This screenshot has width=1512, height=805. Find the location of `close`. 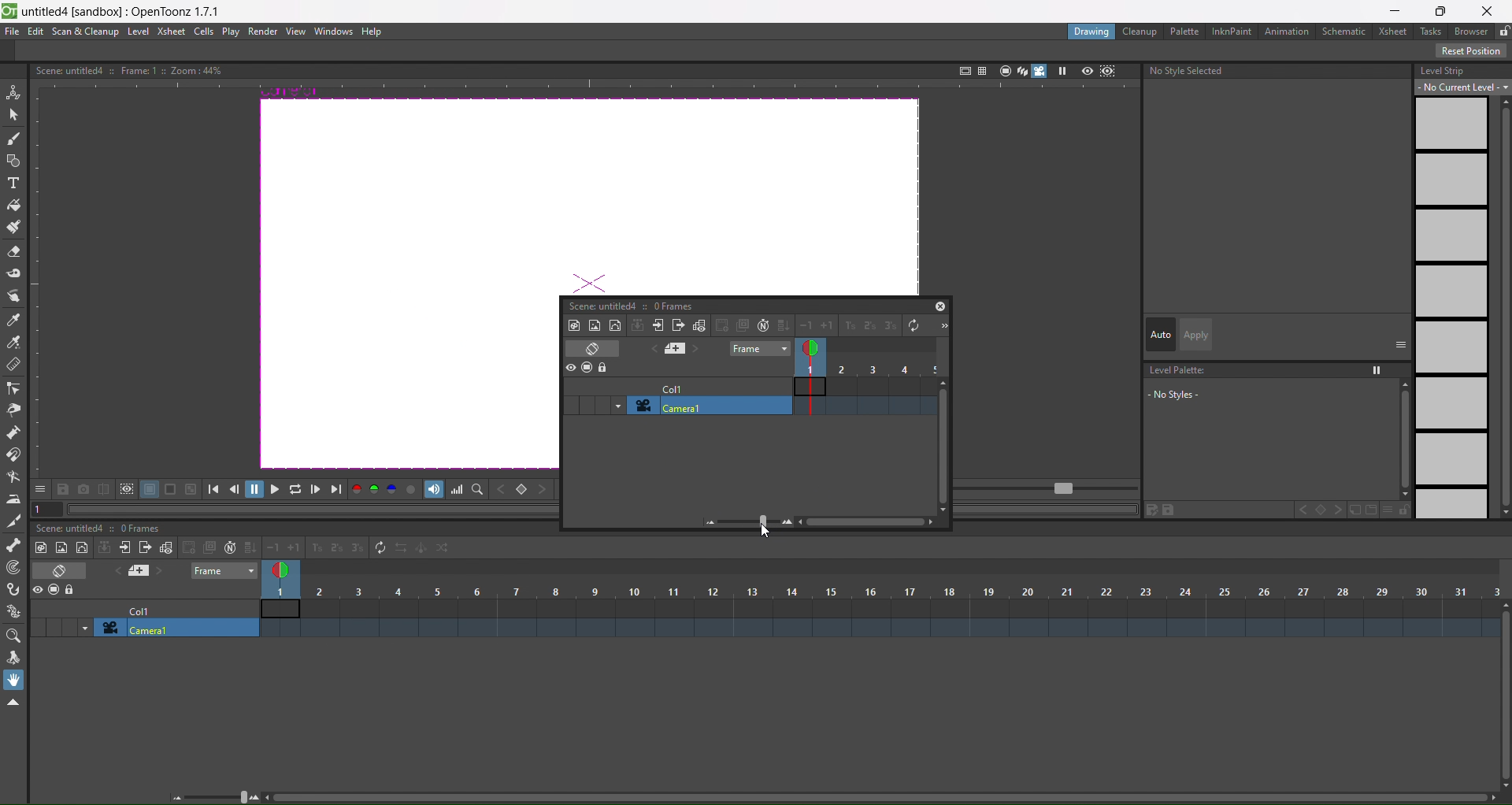

close is located at coordinates (940, 306).